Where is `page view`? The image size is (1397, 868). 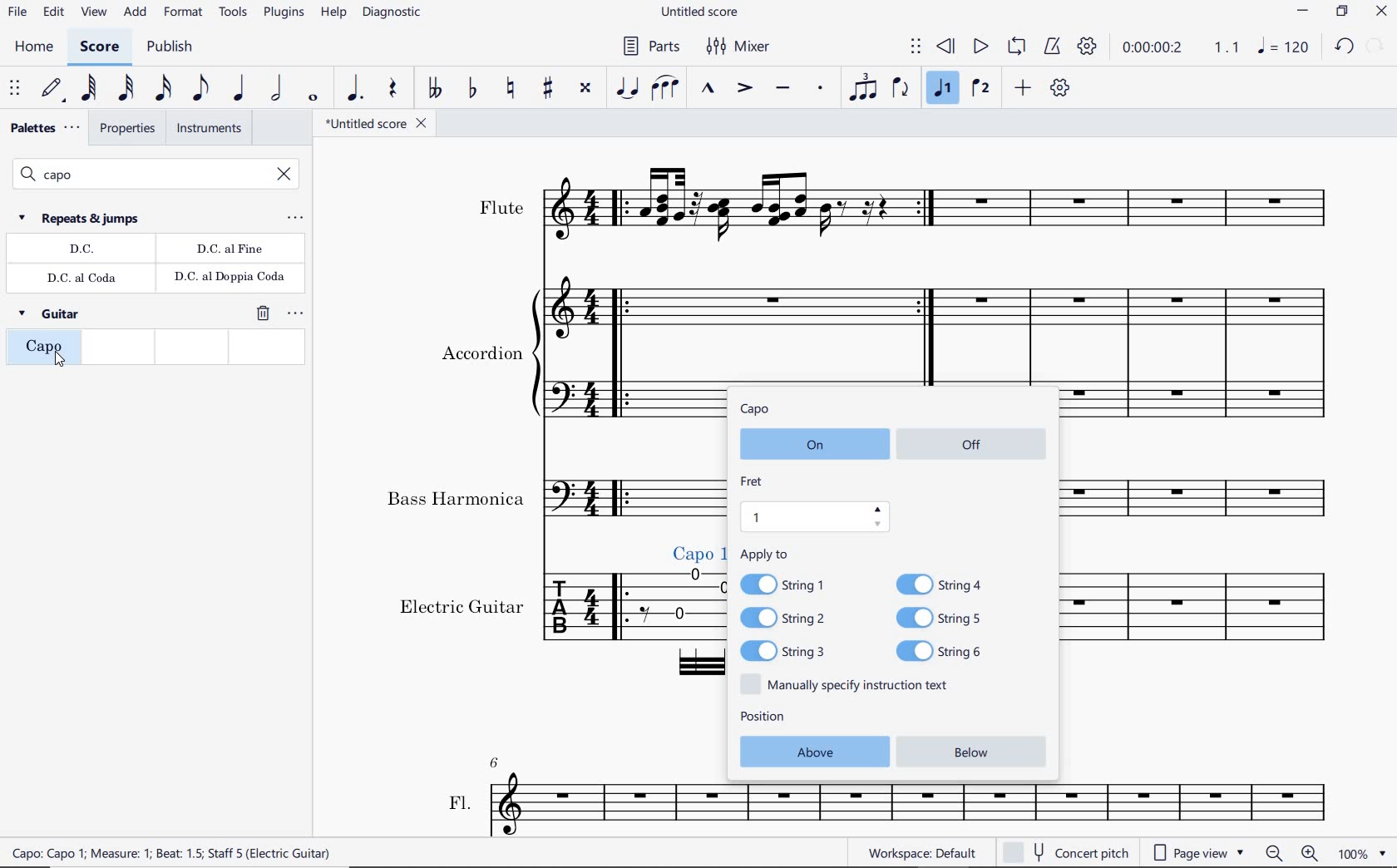 page view is located at coordinates (1197, 852).